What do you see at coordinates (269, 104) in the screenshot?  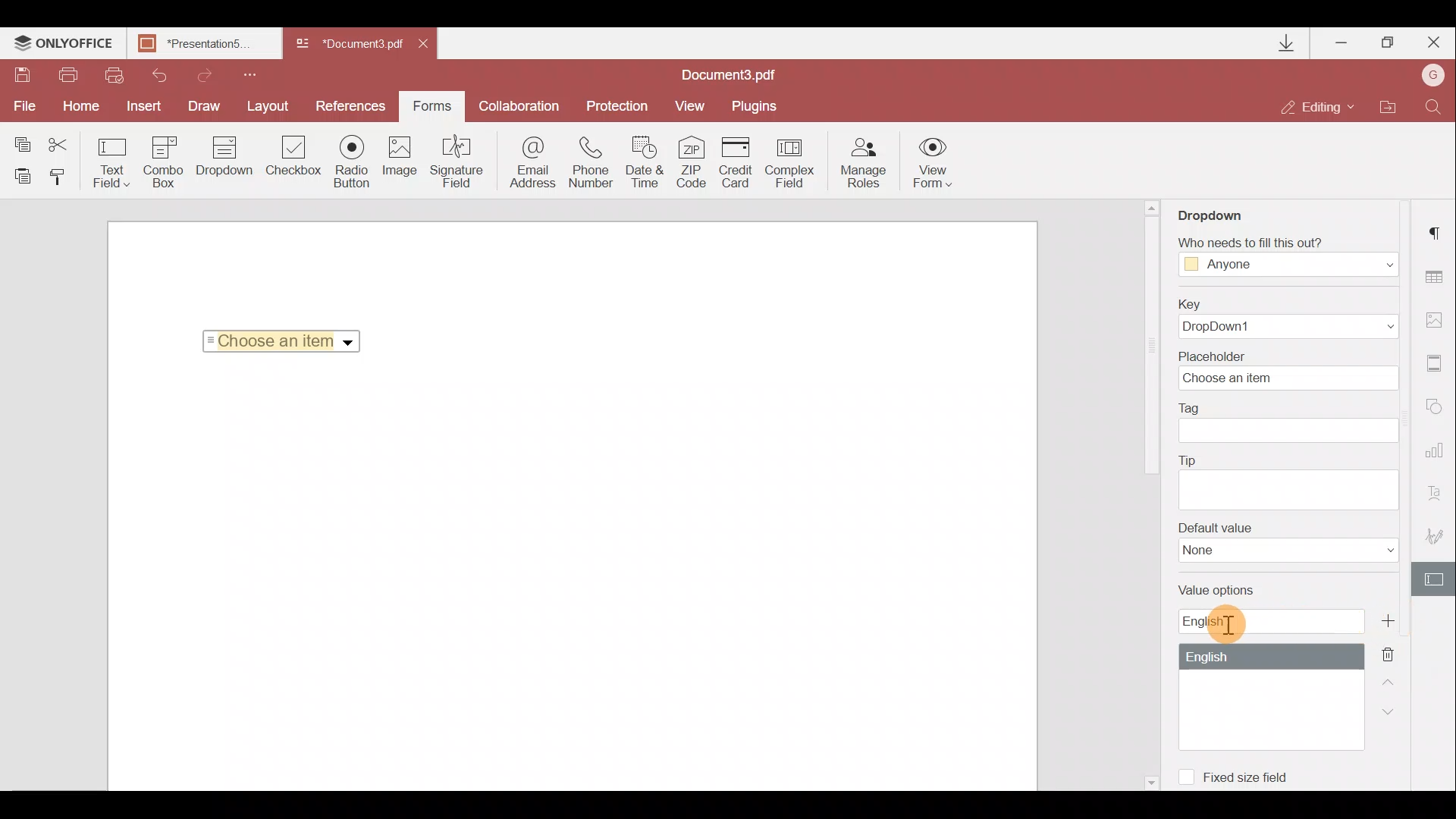 I see `Layout` at bounding box center [269, 104].